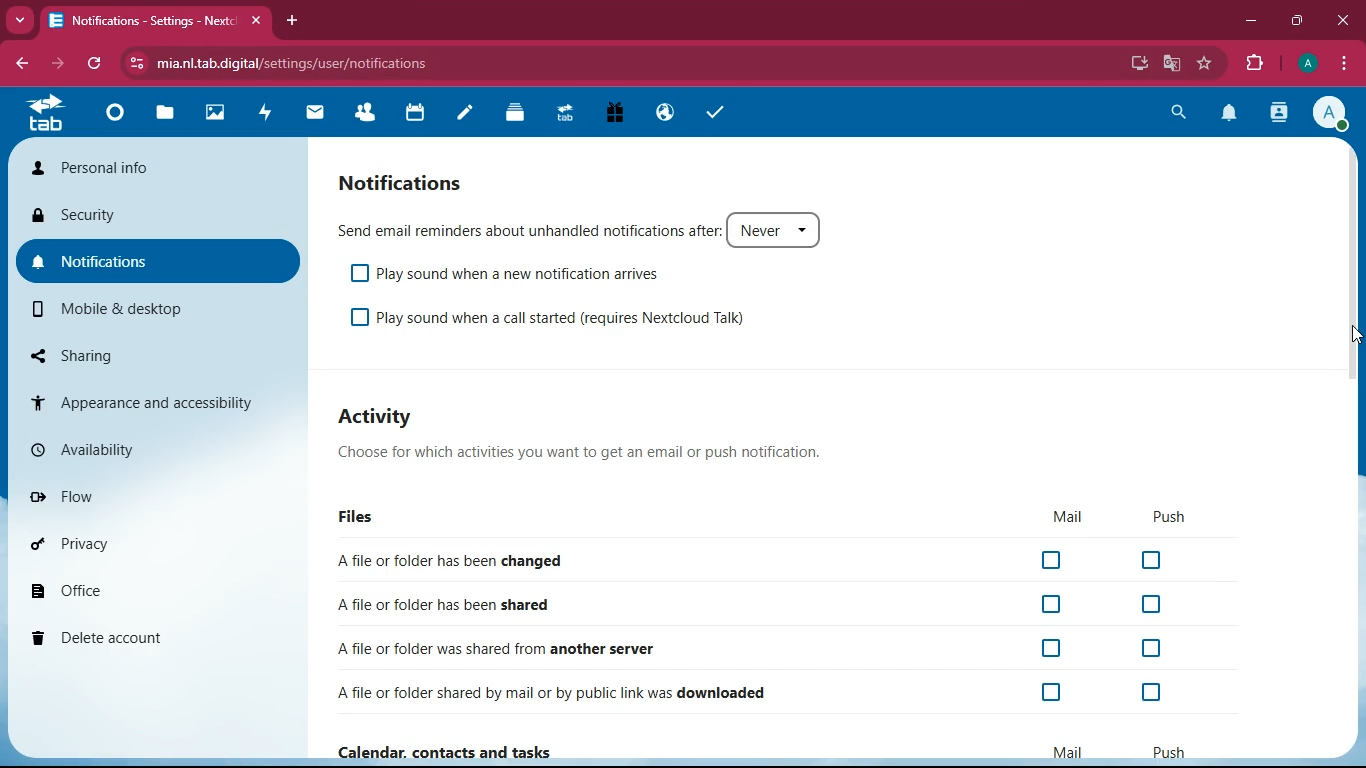  Describe the element at coordinates (550, 692) in the screenshot. I see `Afile or folder shared by mail or by public link was downloaded` at that location.